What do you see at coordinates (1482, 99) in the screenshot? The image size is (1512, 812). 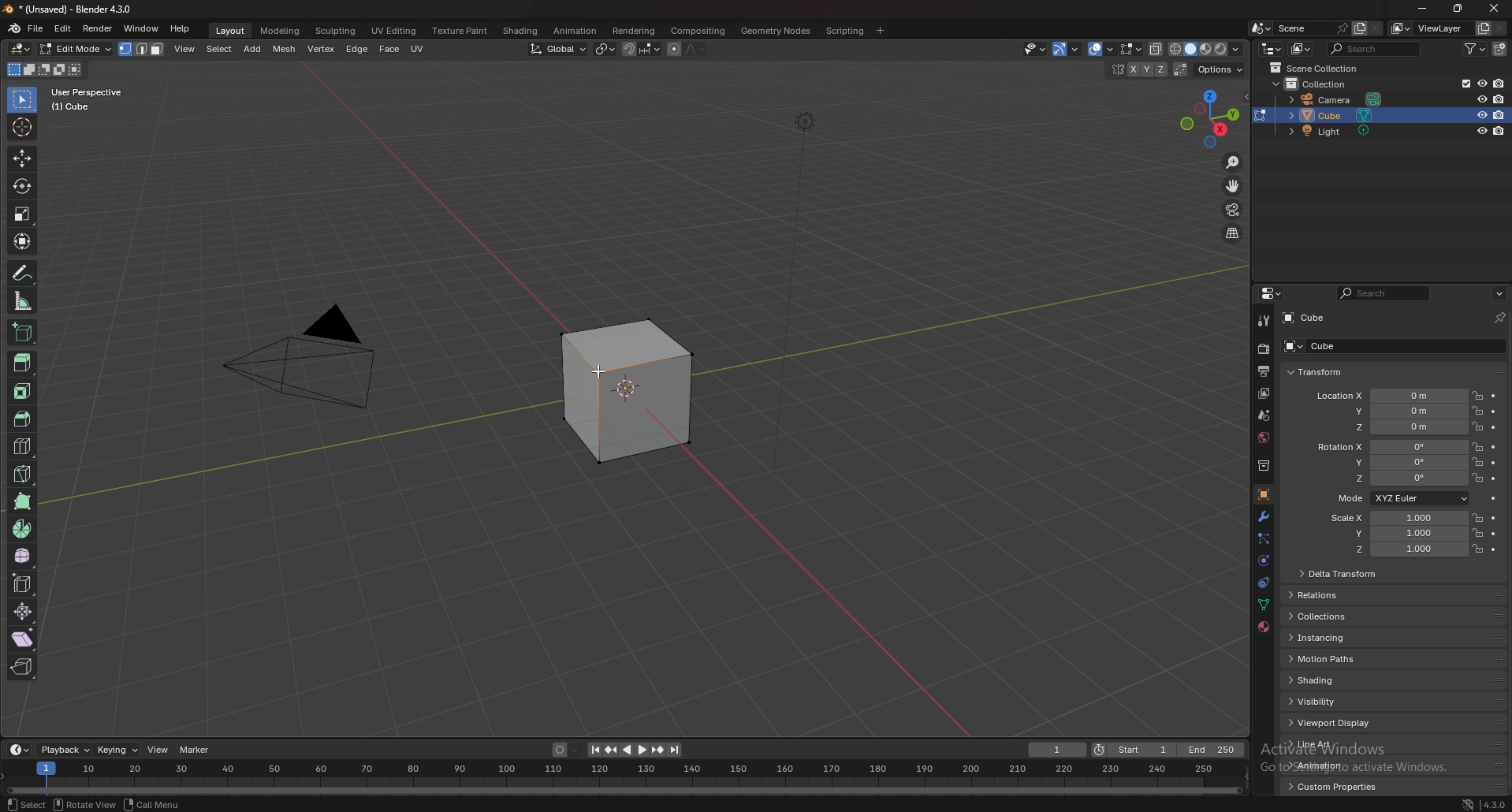 I see `hide in viewport` at bounding box center [1482, 99].